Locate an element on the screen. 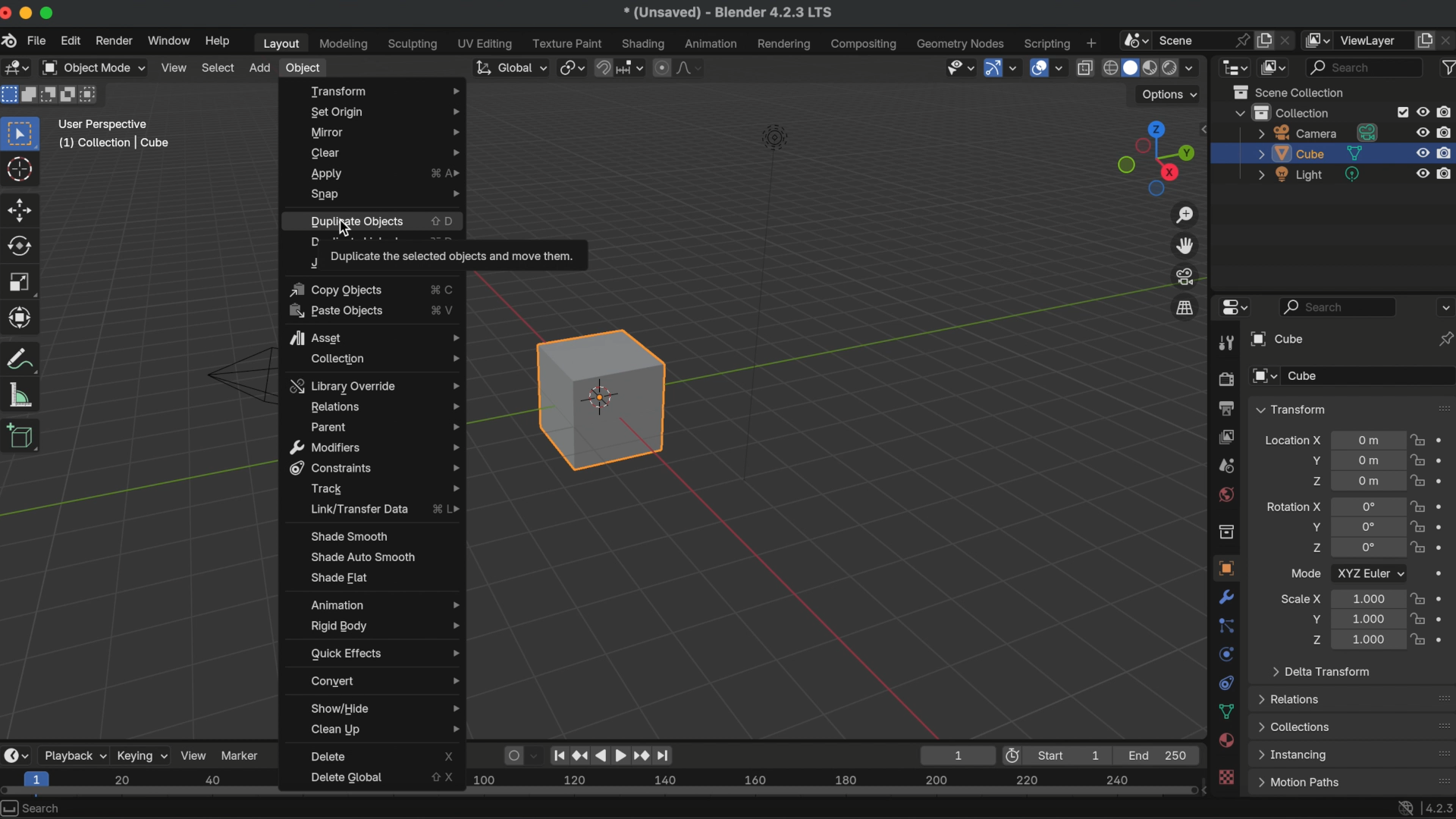  parent is located at coordinates (384, 426).